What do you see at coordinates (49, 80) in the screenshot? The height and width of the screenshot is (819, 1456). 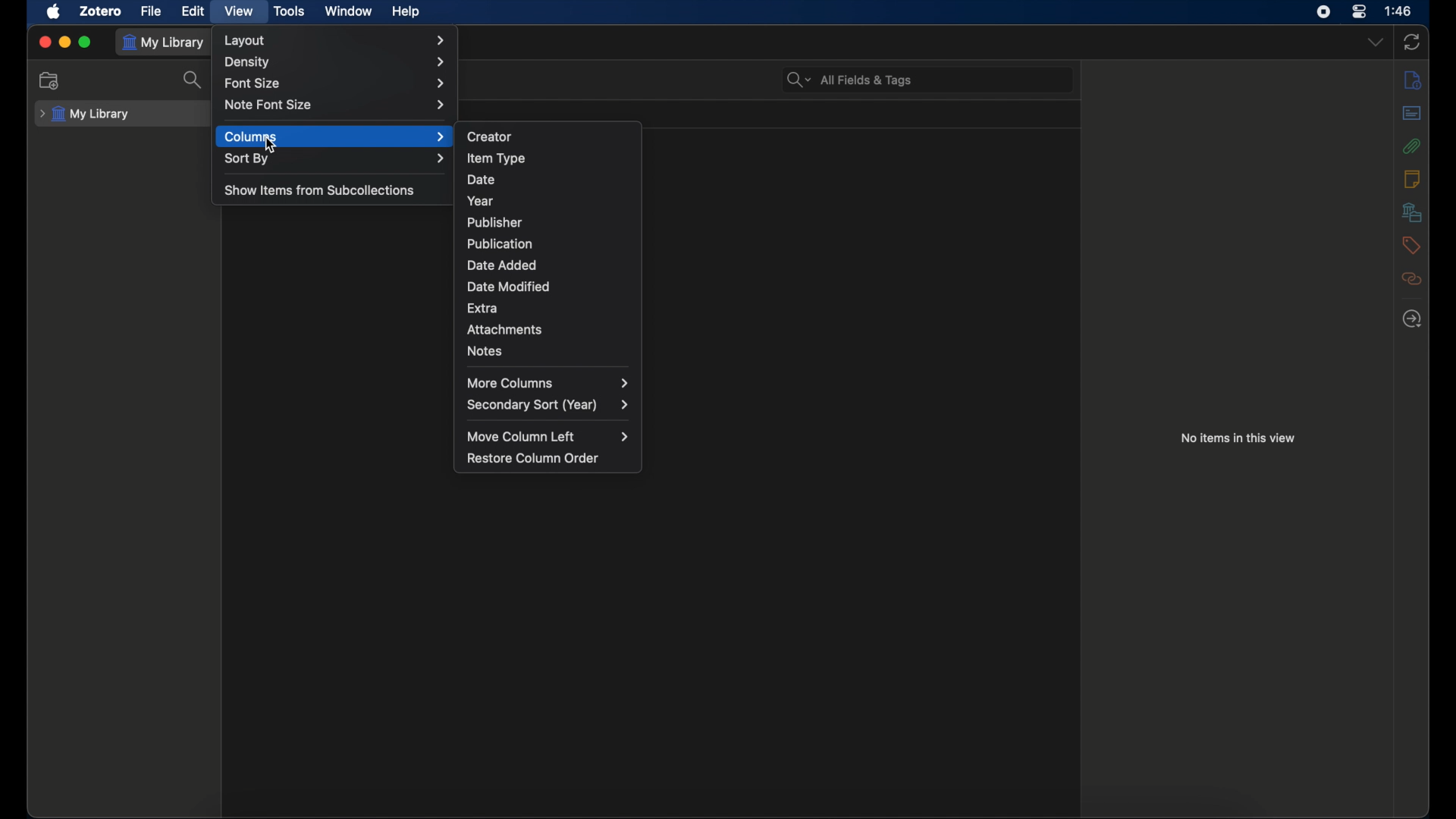 I see `new collection` at bounding box center [49, 80].